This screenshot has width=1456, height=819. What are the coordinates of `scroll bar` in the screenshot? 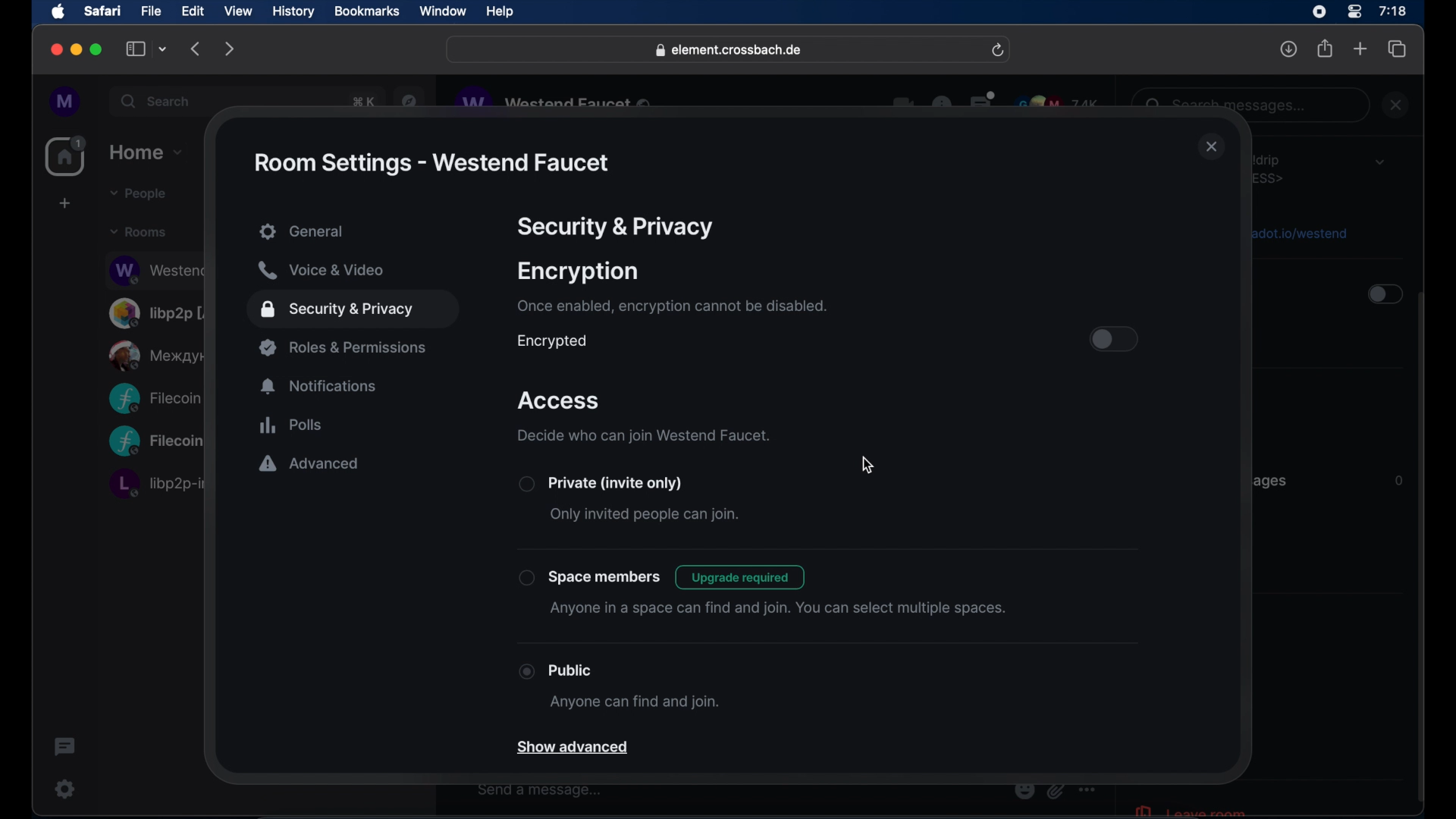 It's located at (1422, 549).